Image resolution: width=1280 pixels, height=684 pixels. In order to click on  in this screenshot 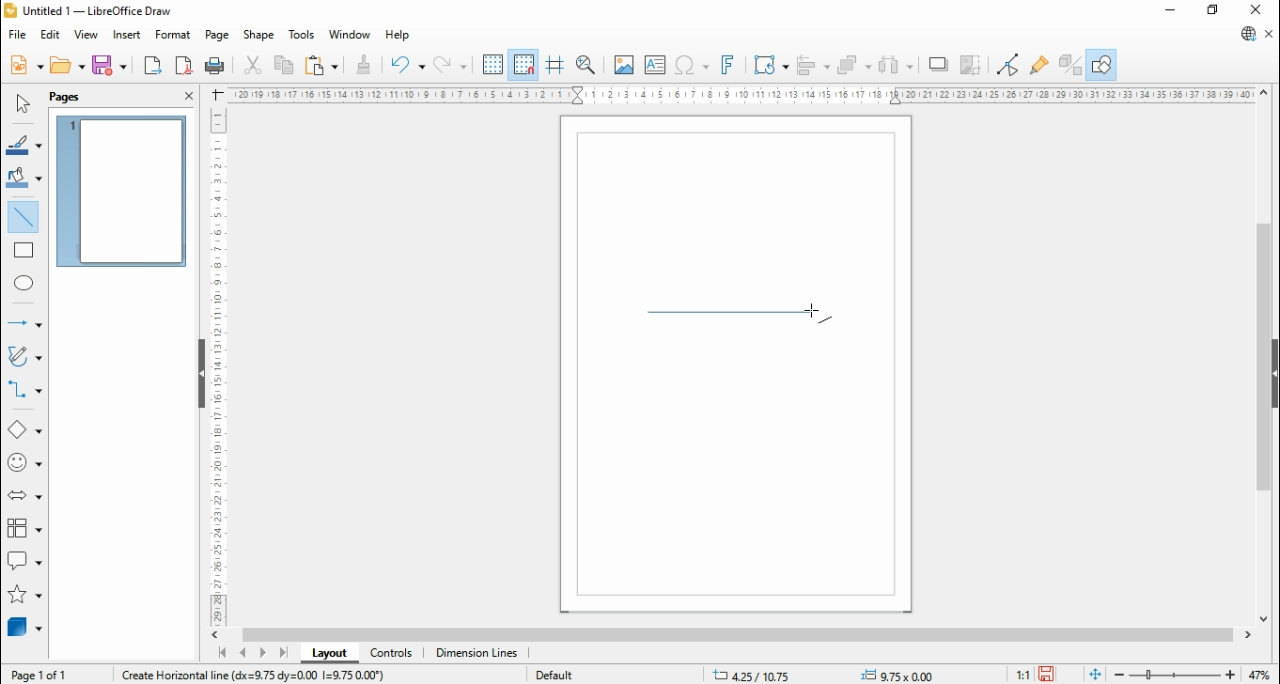, I will do `click(249, 675)`.